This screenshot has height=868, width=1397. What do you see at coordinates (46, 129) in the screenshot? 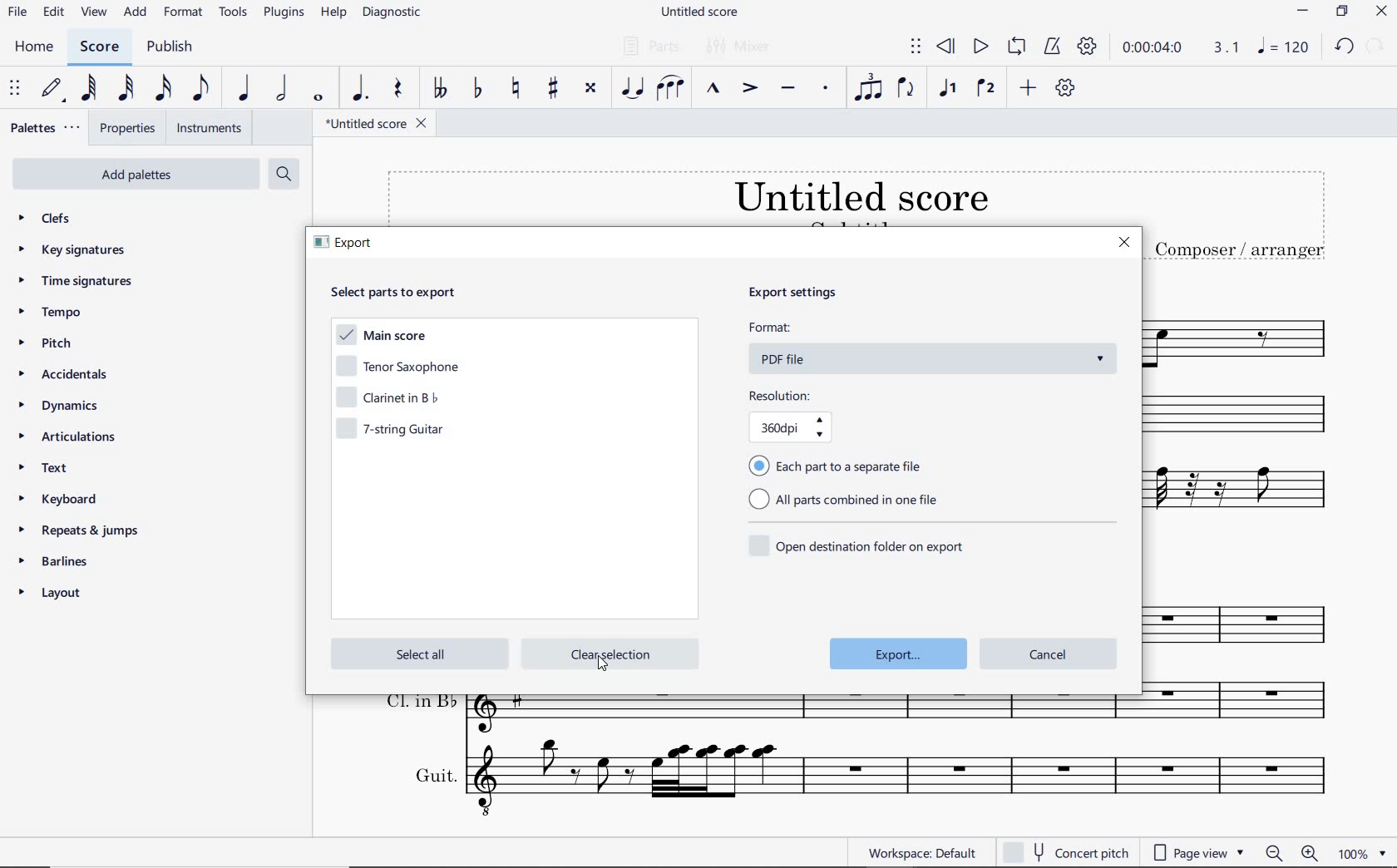
I see `PALETTES` at bounding box center [46, 129].